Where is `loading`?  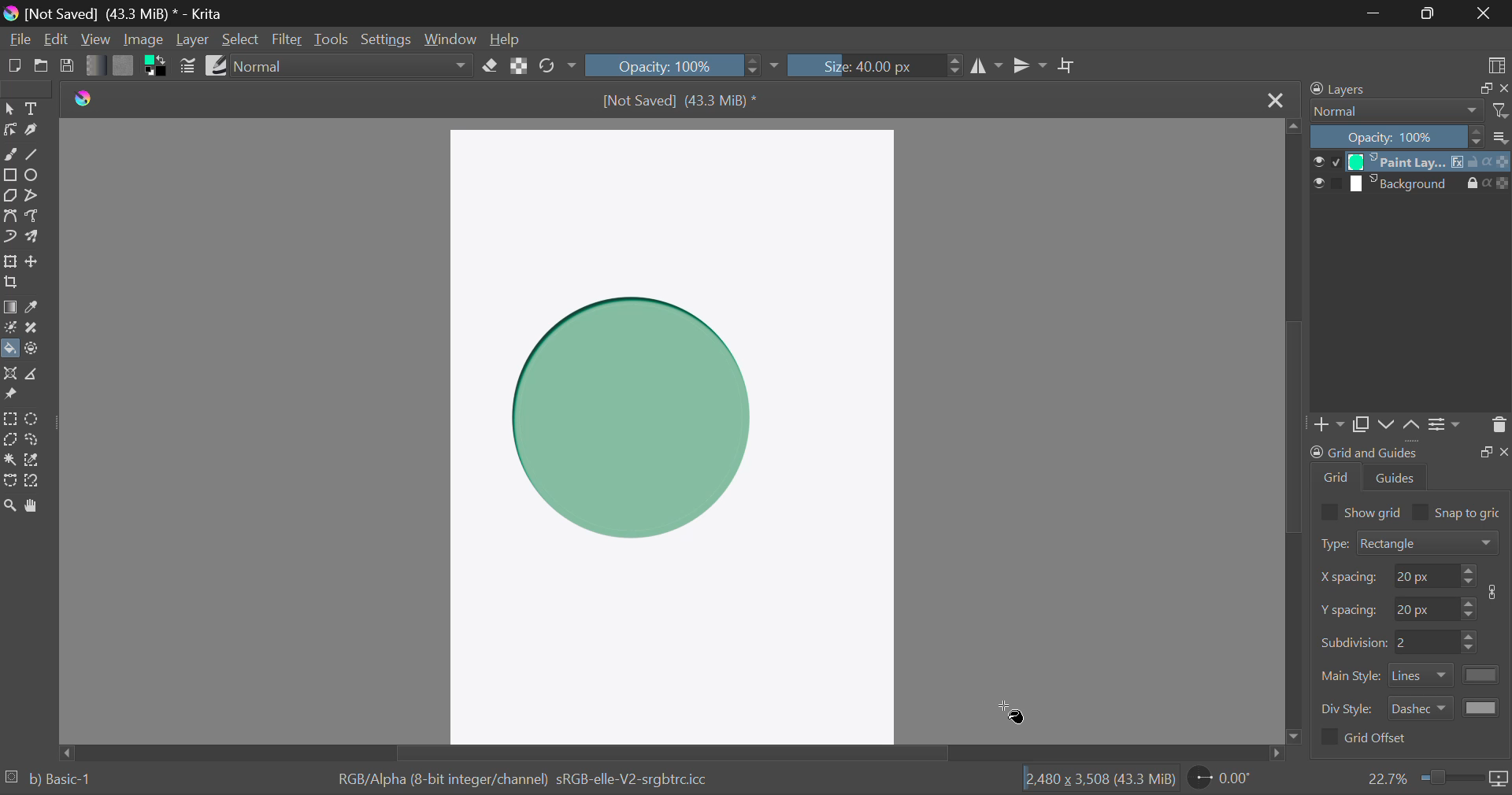
loading is located at coordinates (9, 774).